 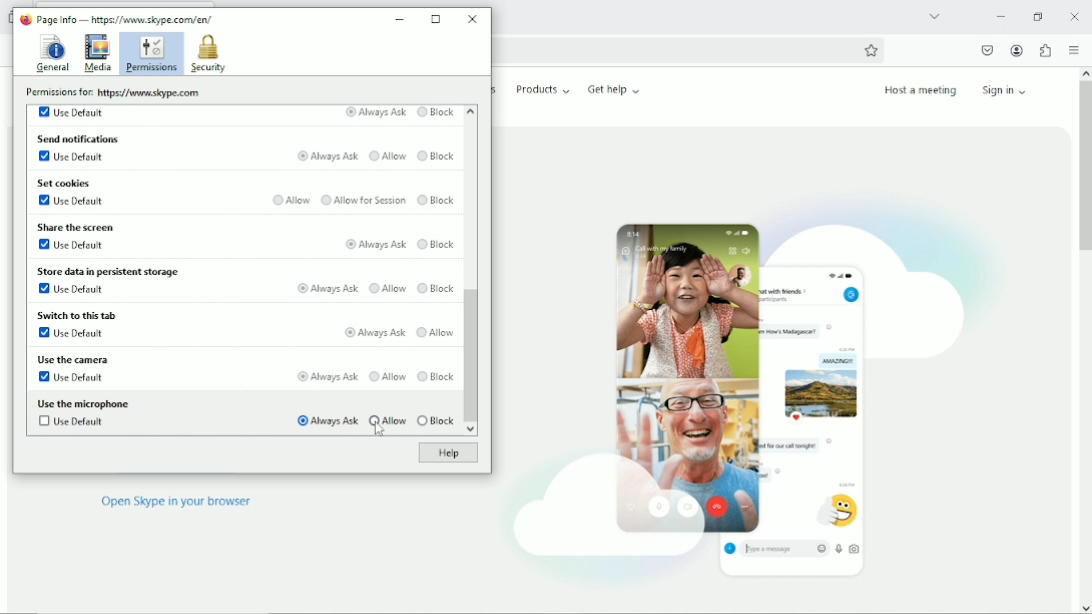 What do you see at coordinates (437, 156) in the screenshot?
I see `Block` at bounding box center [437, 156].